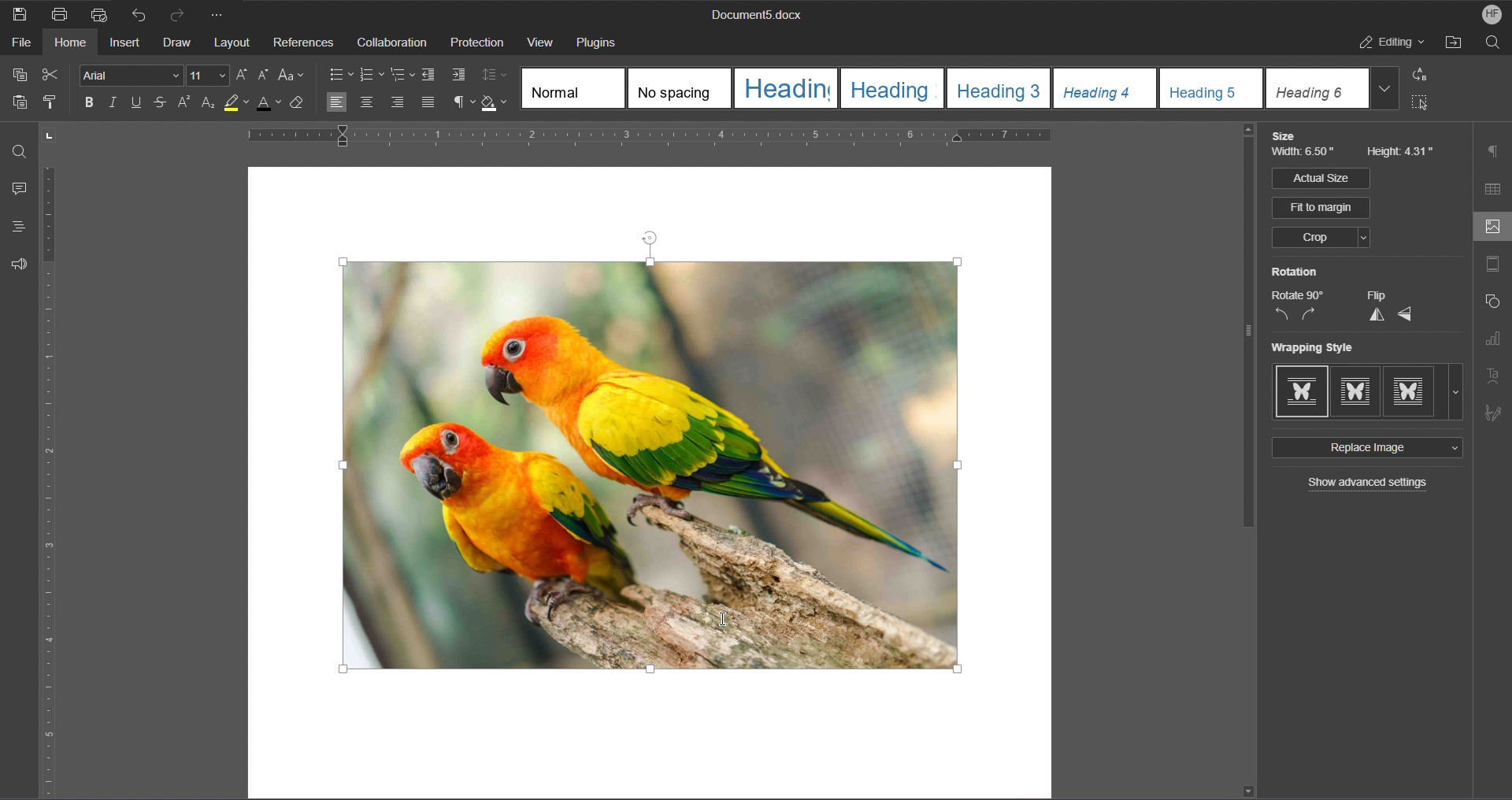 This screenshot has height=800, width=1512. What do you see at coordinates (458, 103) in the screenshot?
I see `Non-Printing Characters` at bounding box center [458, 103].